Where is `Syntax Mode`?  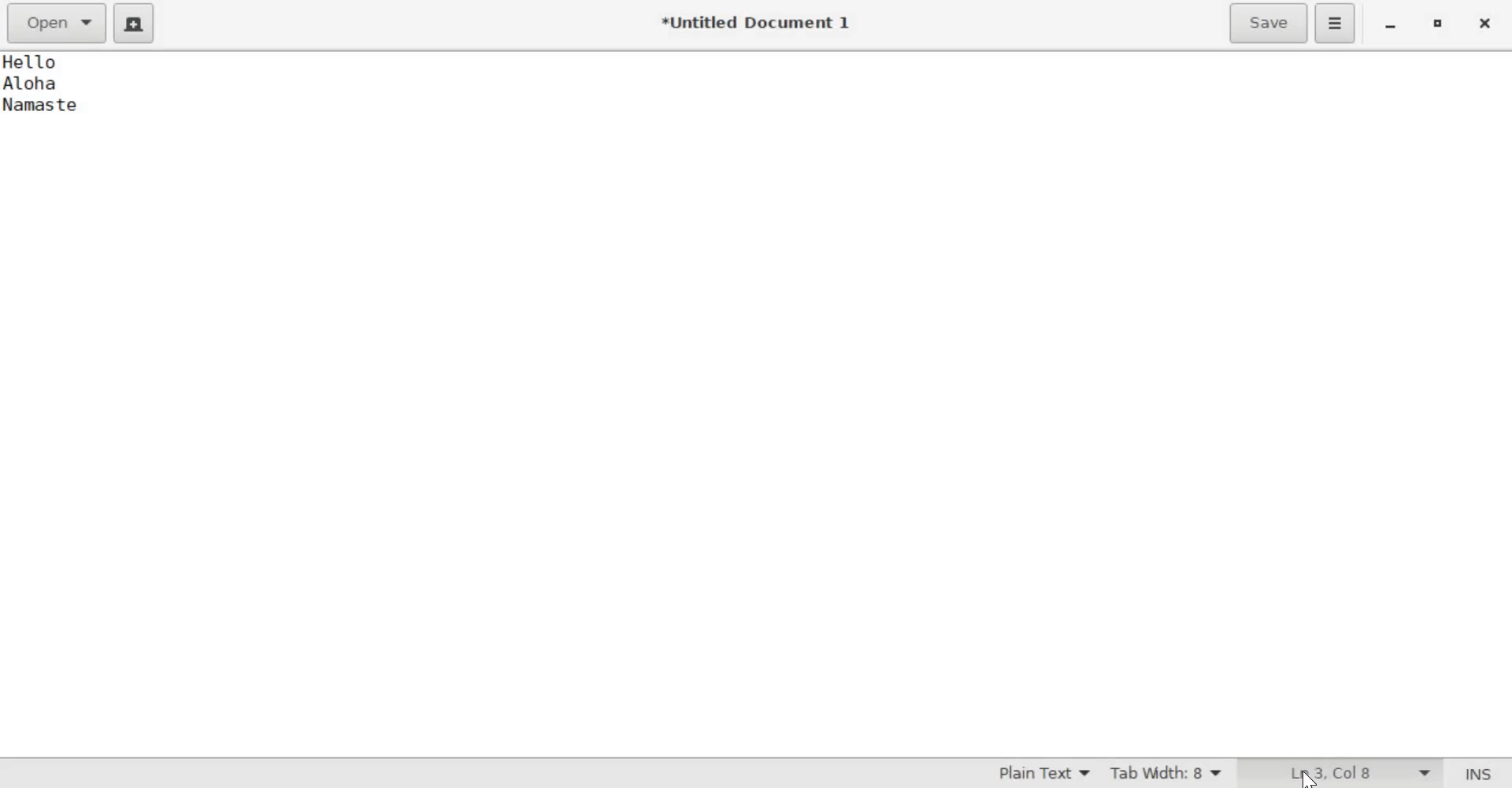
Syntax Mode is located at coordinates (1034, 773).